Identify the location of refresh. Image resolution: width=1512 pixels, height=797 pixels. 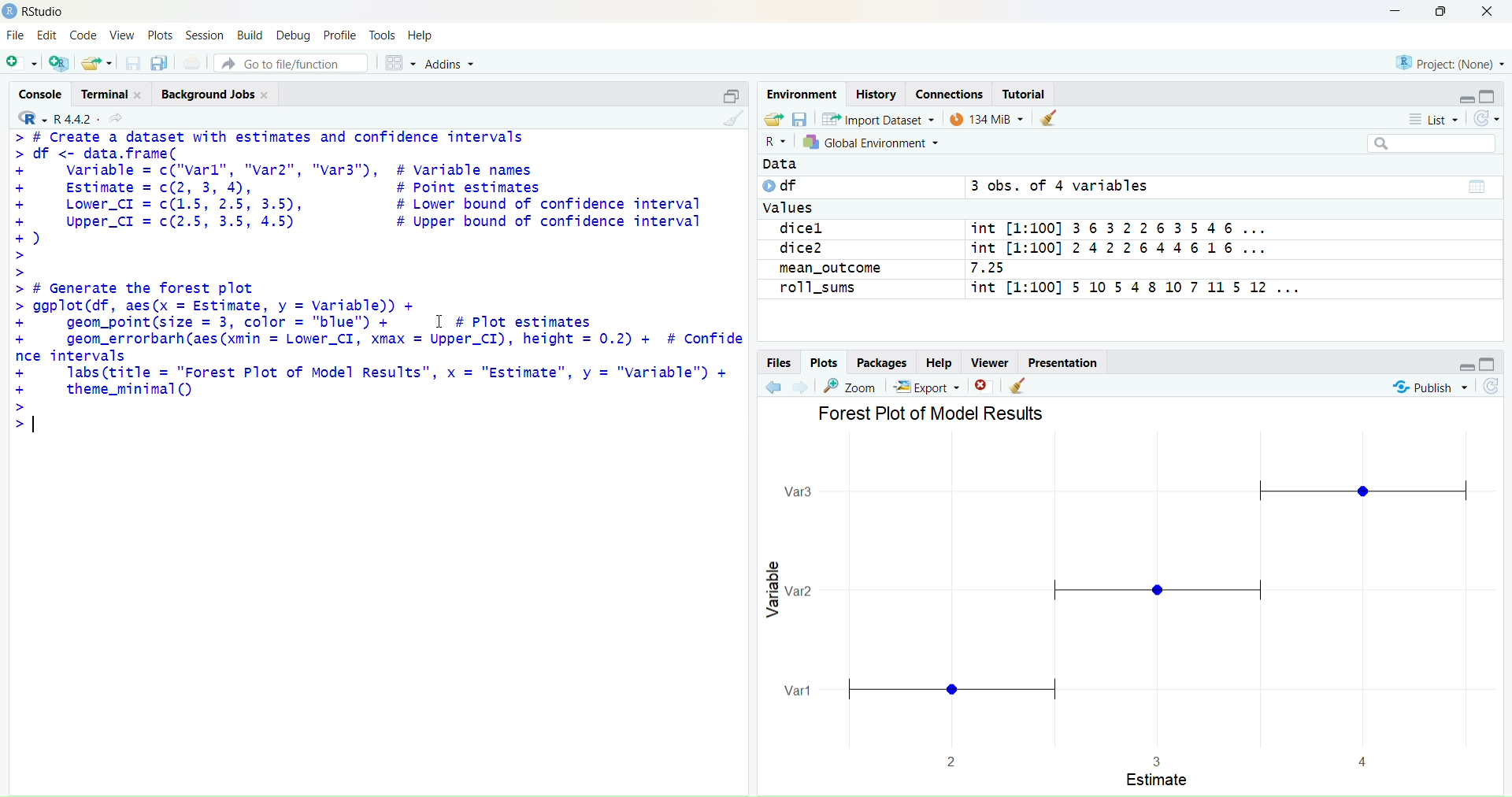
(1492, 387).